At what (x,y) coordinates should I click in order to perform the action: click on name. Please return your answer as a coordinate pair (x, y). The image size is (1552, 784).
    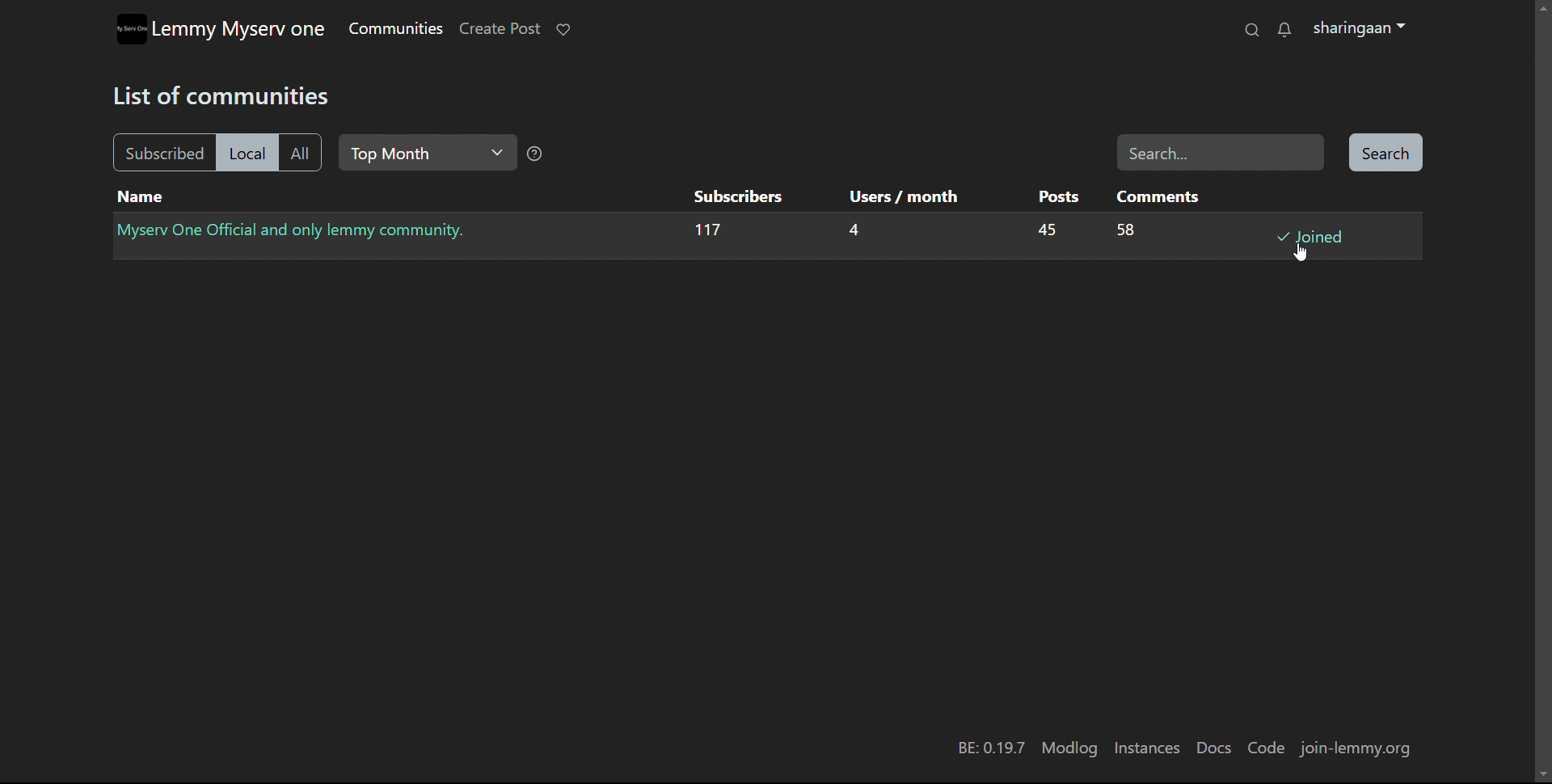
    Looking at the image, I should click on (141, 197).